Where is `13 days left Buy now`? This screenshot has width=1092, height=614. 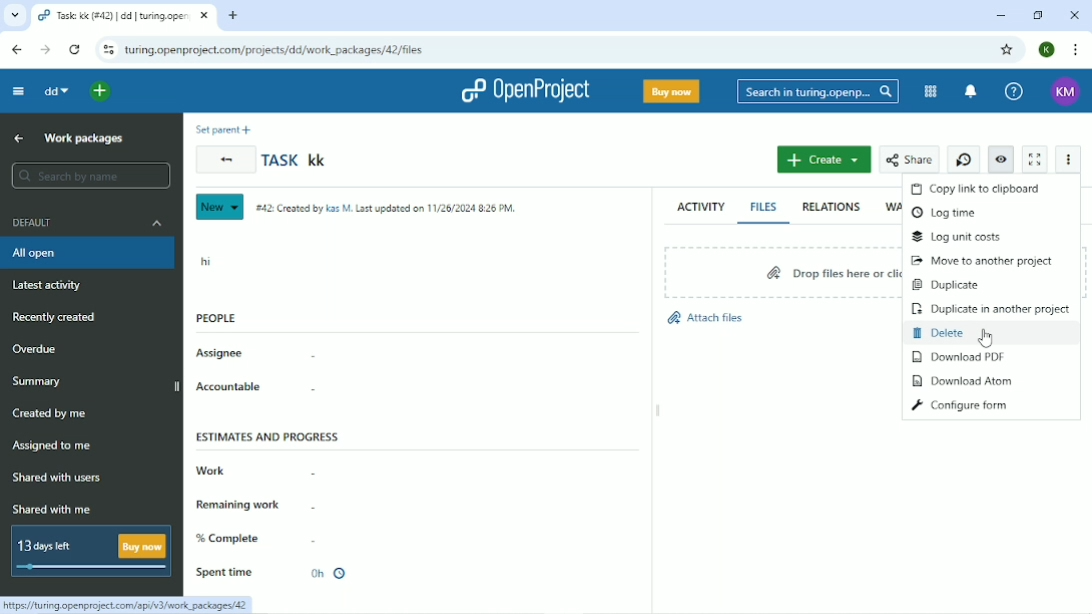 13 days left Buy now is located at coordinates (92, 551).